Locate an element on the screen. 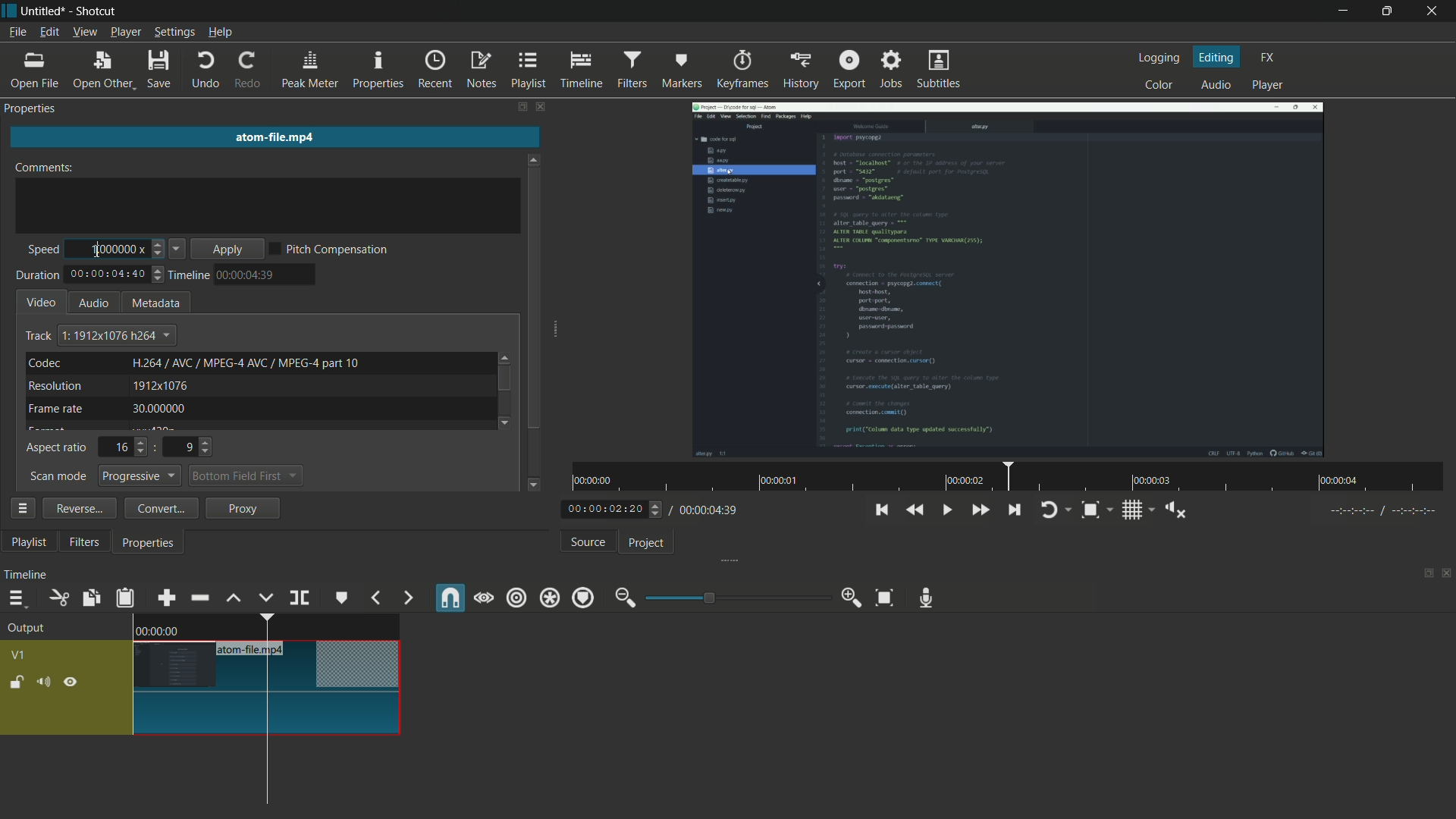  scrub while dragging is located at coordinates (483, 599).